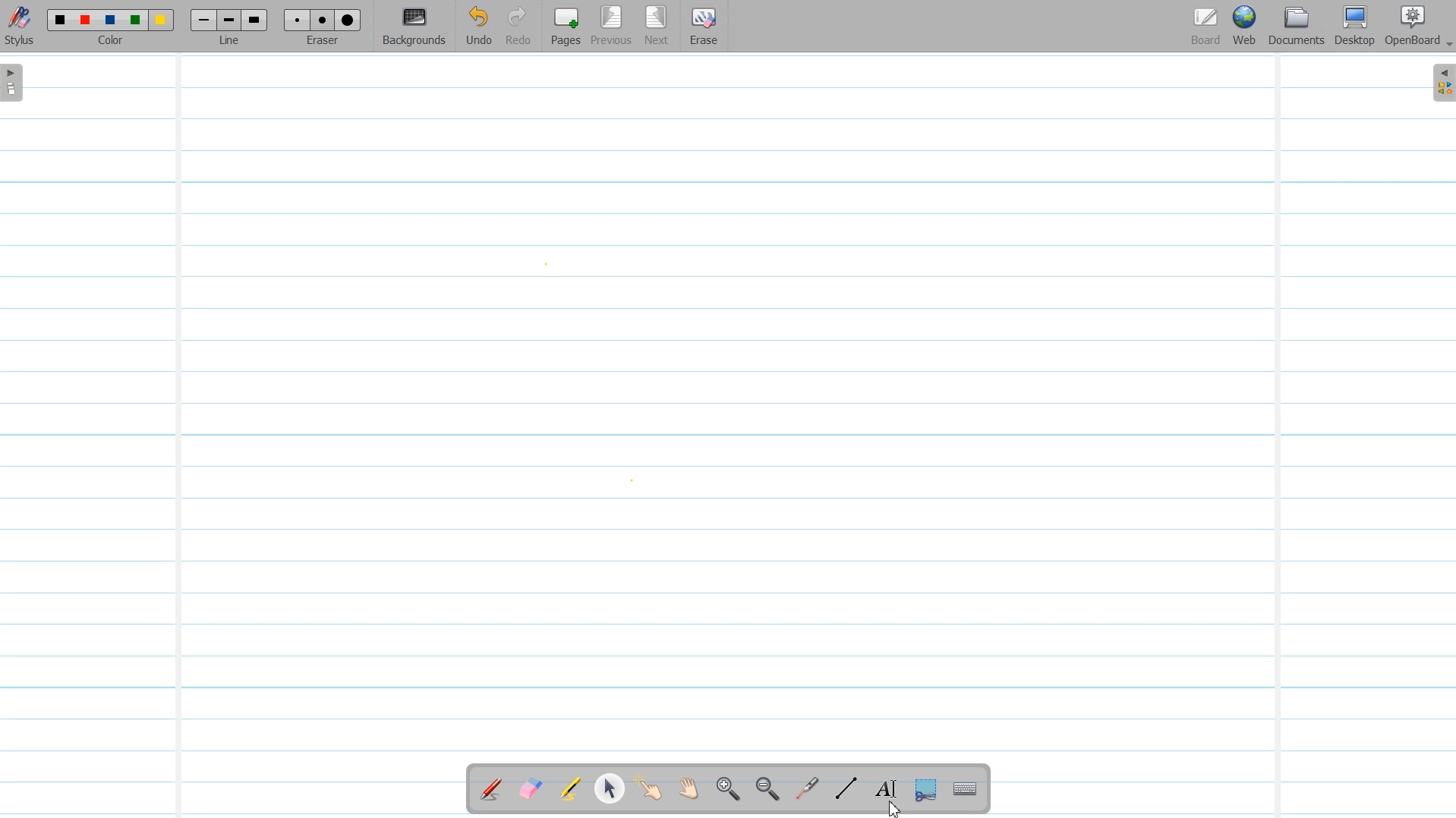  Describe the element at coordinates (1246, 27) in the screenshot. I see `Web` at that location.